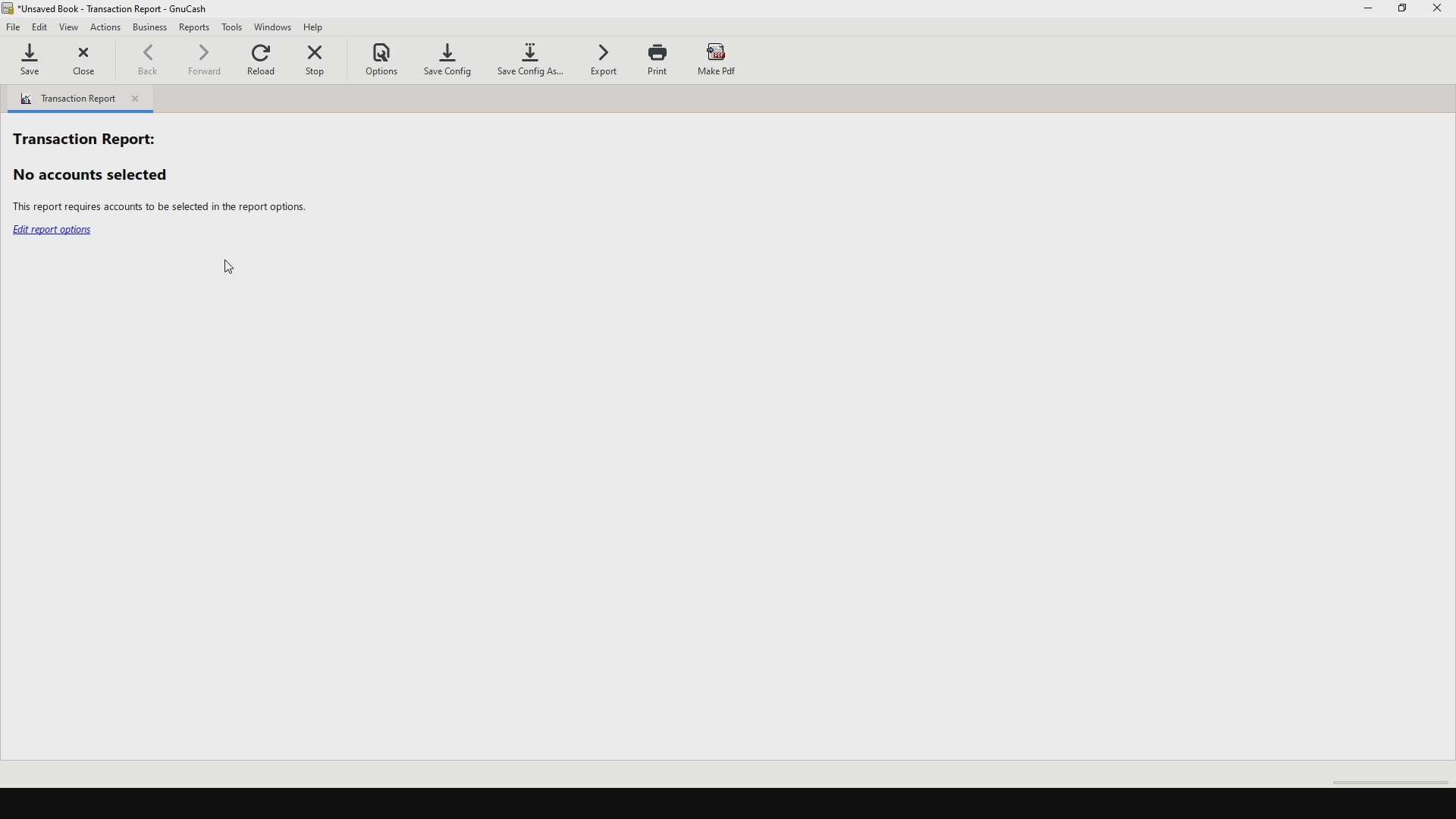 Image resolution: width=1456 pixels, height=819 pixels. I want to click on *Unsaved Book - Transaction Report - GnuCash, so click(119, 8).